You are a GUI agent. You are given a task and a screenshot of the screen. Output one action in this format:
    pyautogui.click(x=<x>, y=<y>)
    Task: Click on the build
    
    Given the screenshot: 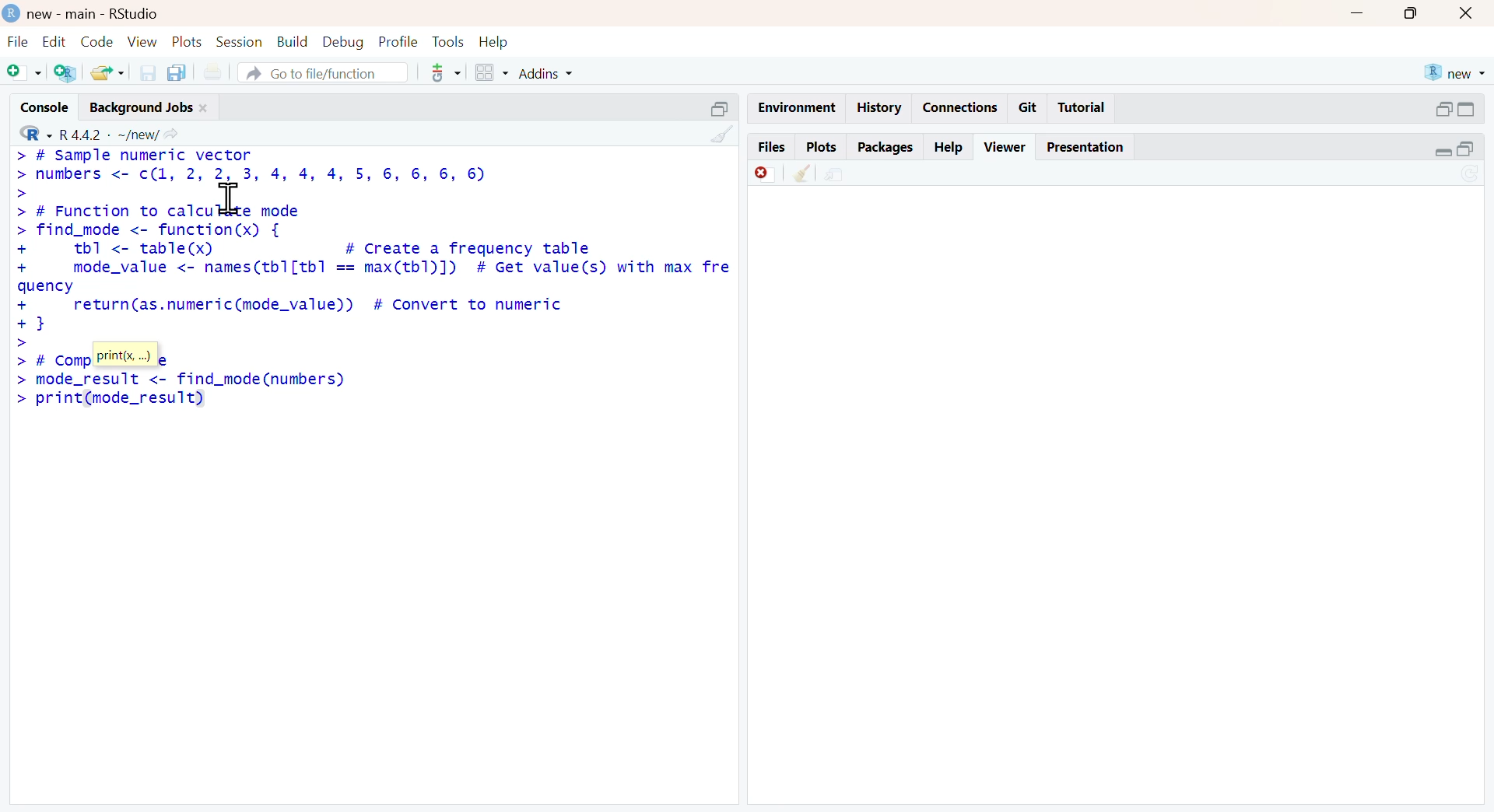 What is the action you would take?
    pyautogui.click(x=294, y=42)
    